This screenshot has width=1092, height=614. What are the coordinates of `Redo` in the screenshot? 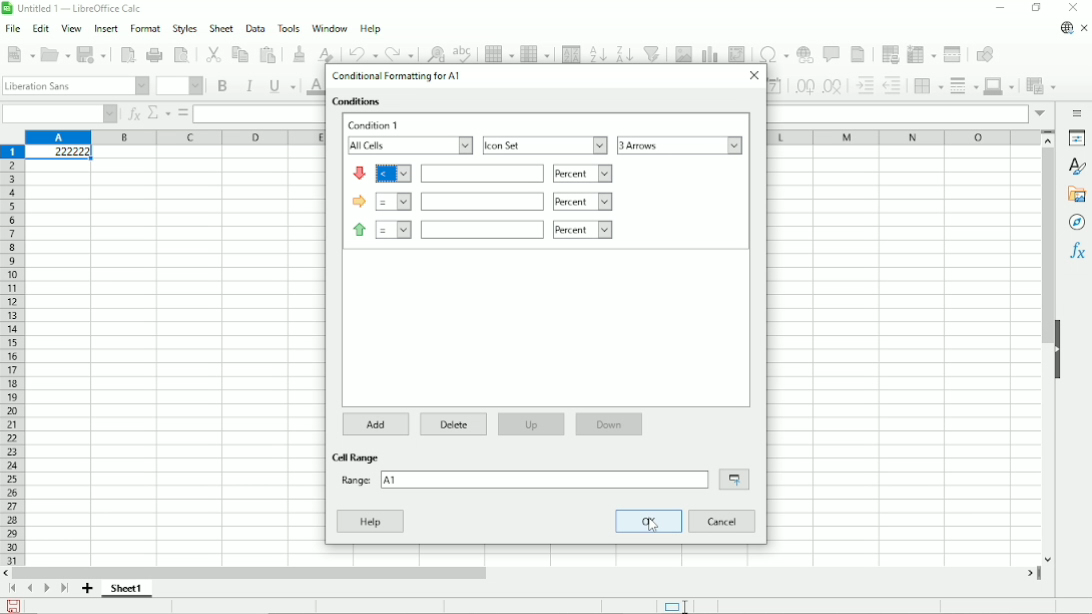 It's located at (402, 52).